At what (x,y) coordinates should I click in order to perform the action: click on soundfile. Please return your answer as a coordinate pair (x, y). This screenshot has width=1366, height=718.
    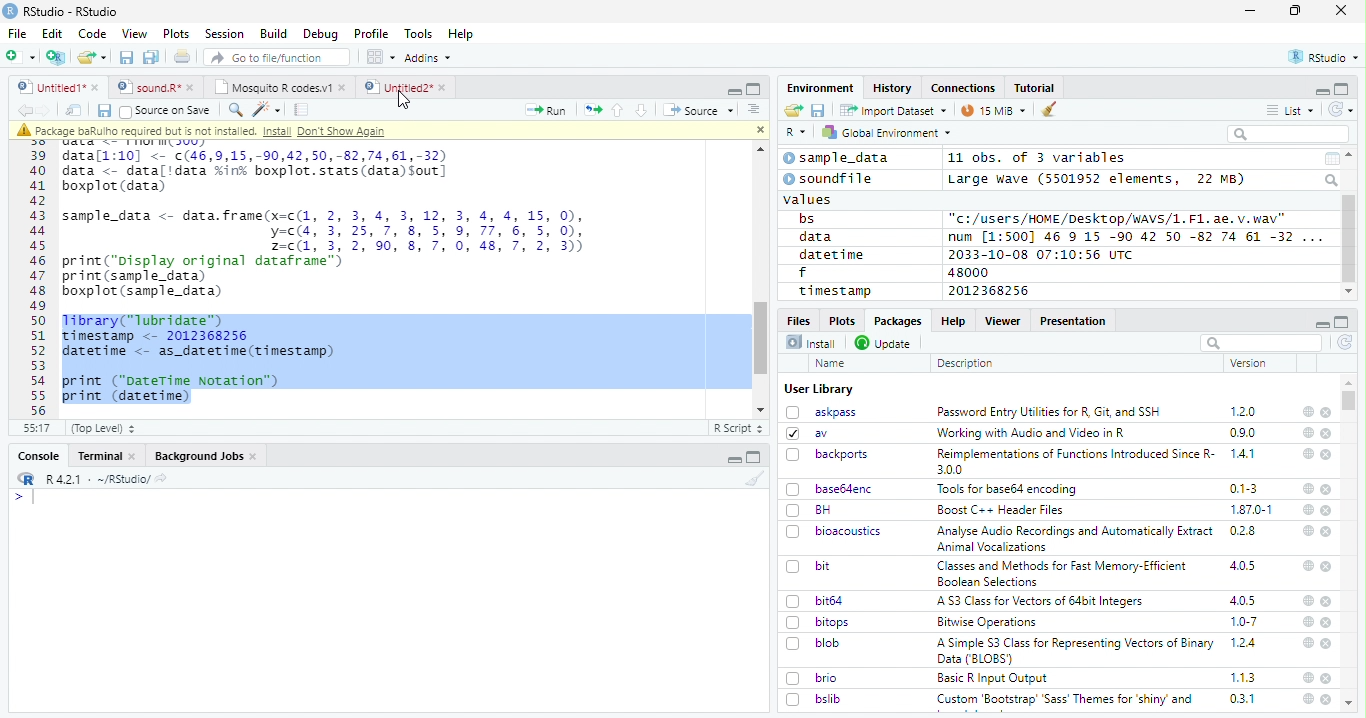
    Looking at the image, I should click on (829, 179).